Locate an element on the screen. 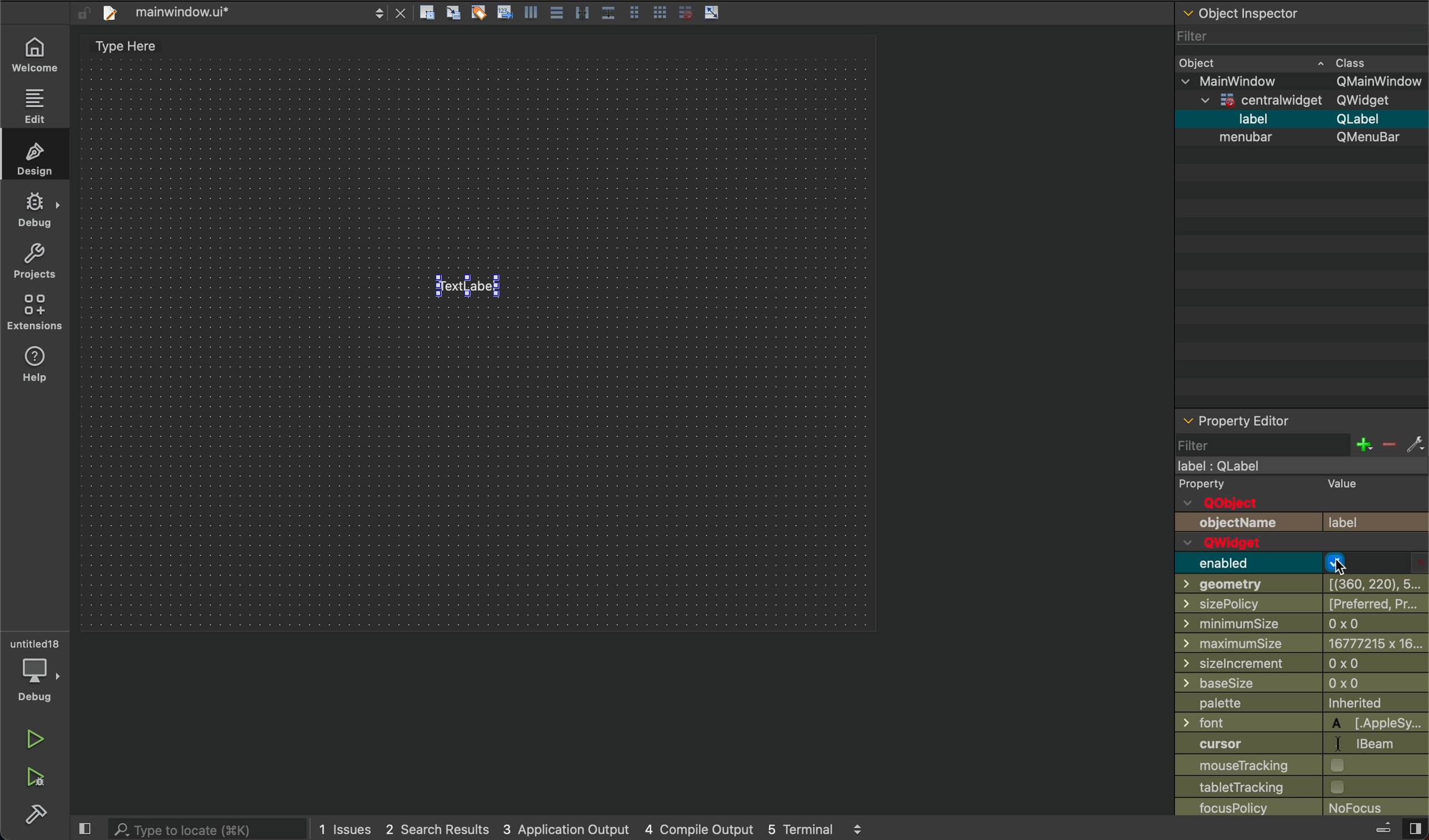 The height and width of the screenshot is (840, 1429). [(360, 220), 5... is located at coordinates (1372, 584).